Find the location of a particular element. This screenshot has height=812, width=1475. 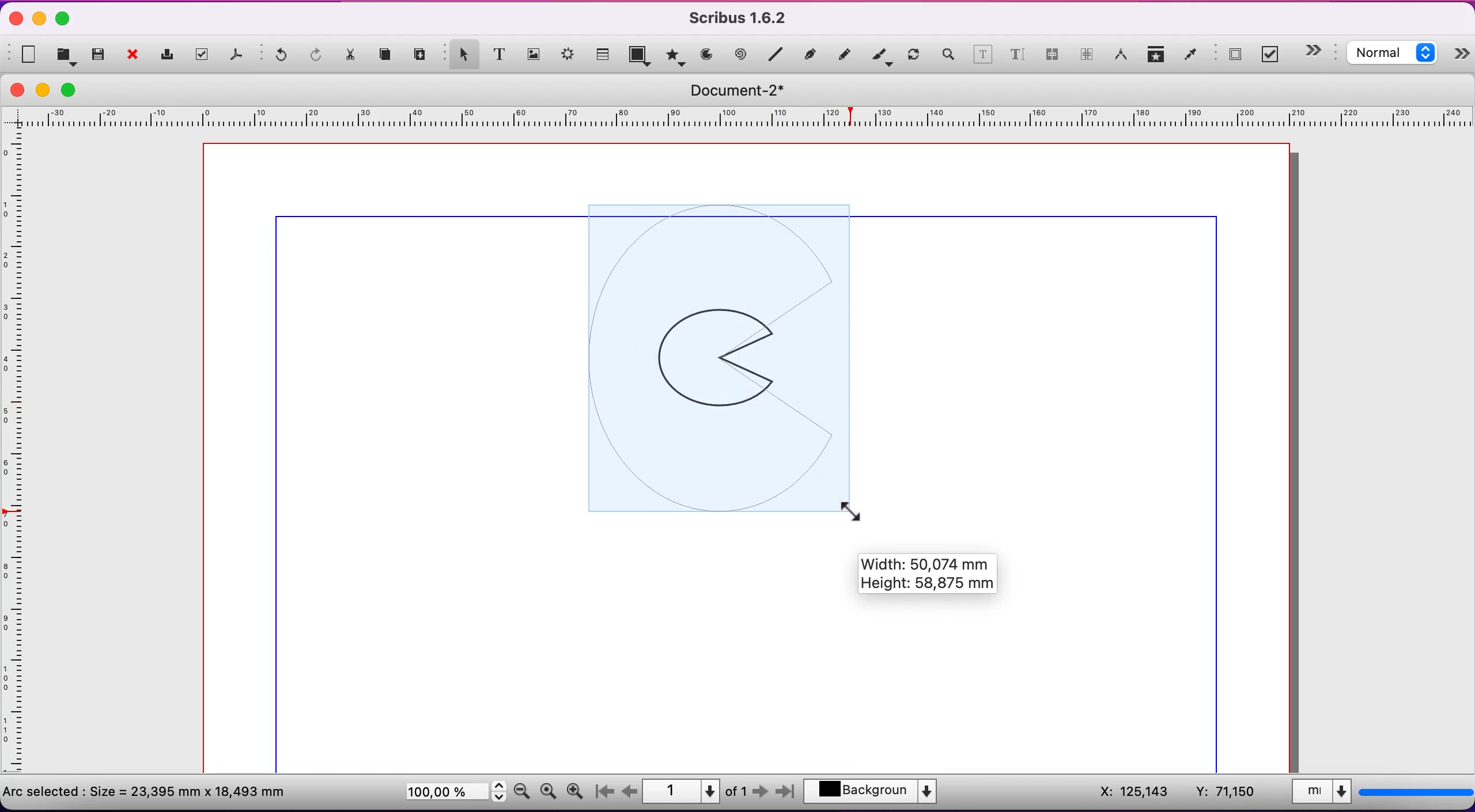

minimize is located at coordinates (46, 90).